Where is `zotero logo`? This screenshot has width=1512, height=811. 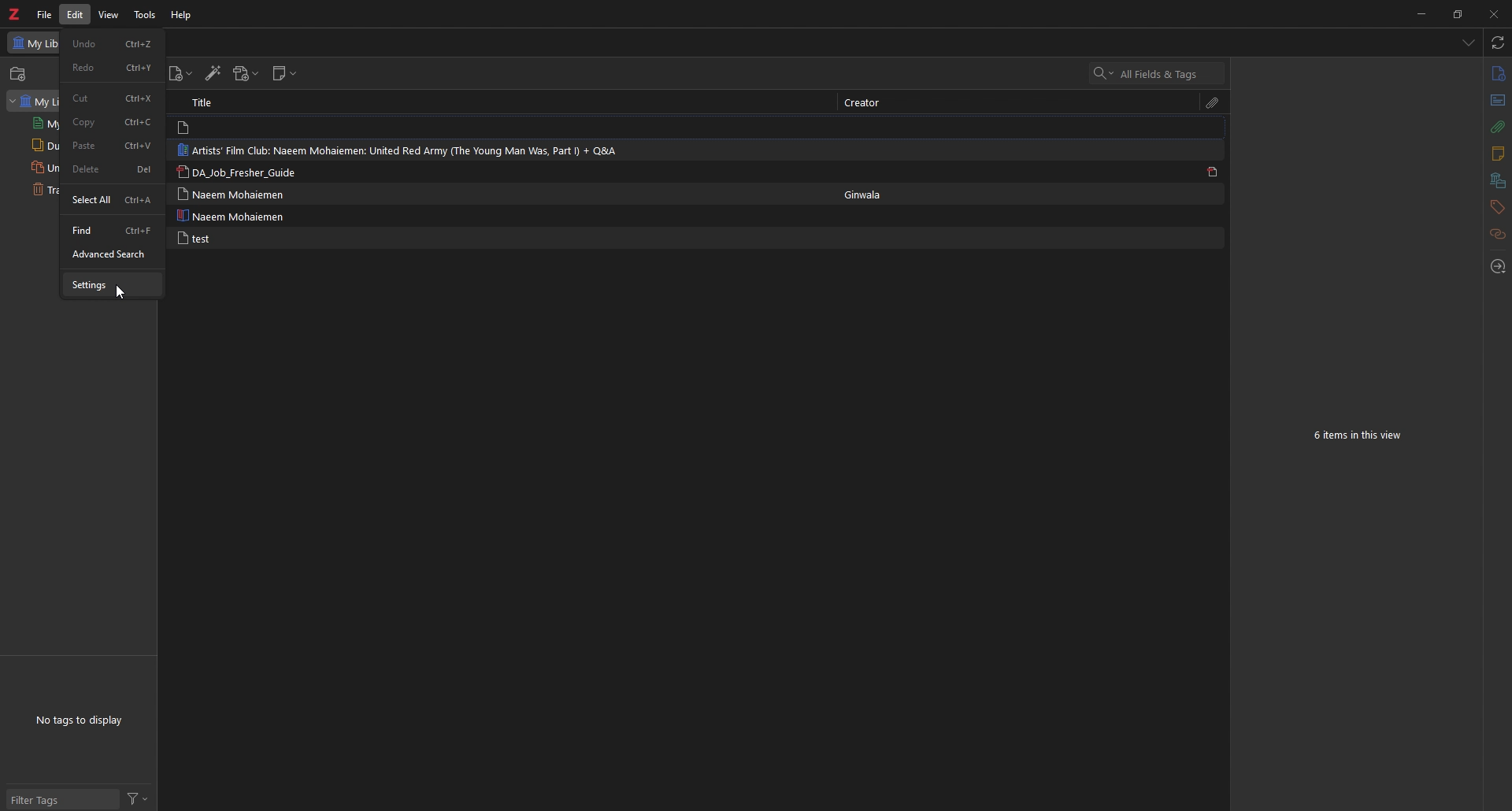
zotero logo is located at coordinates (13, 15).